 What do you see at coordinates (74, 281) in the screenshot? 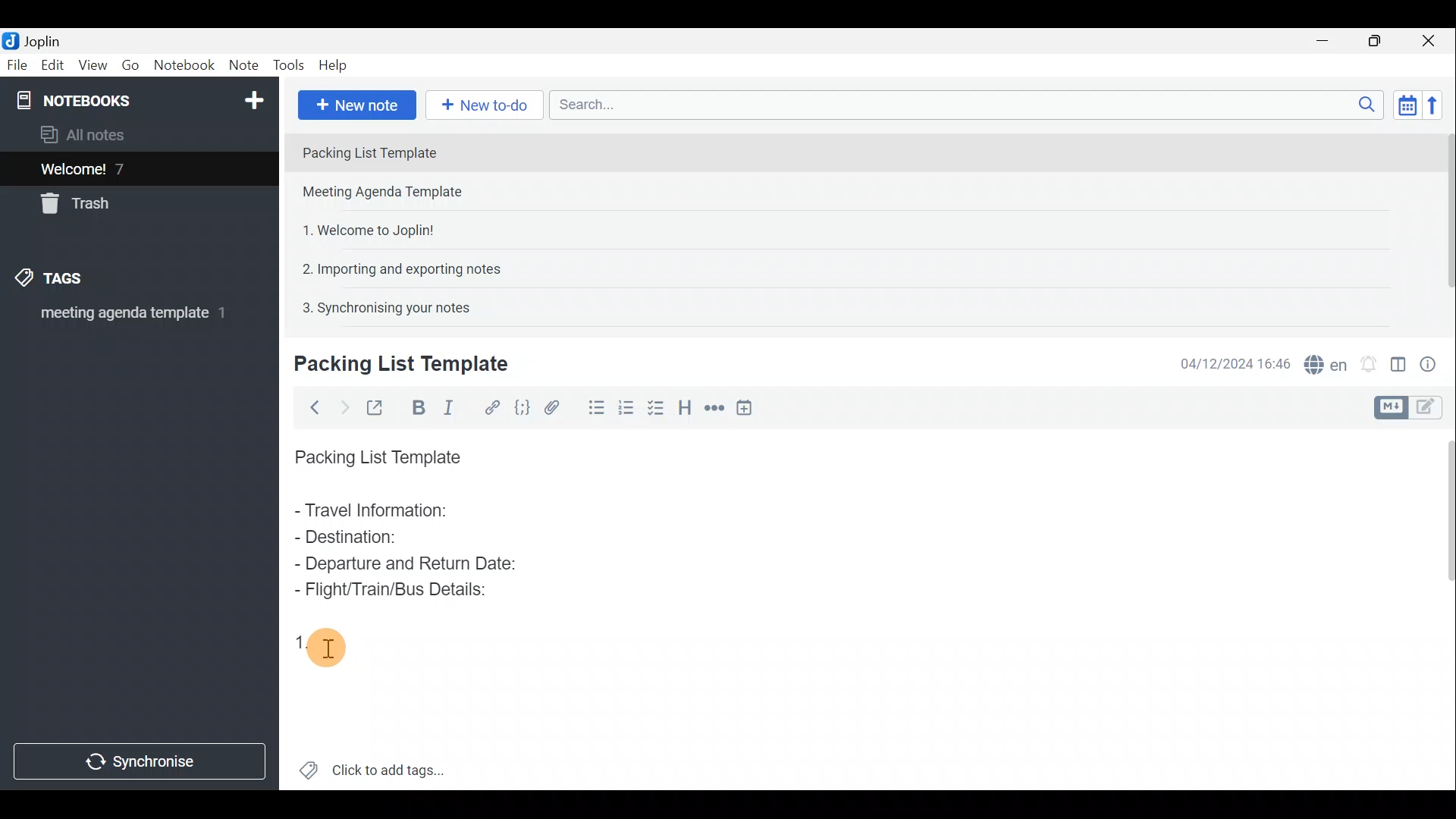
I see `Tags` at bounding box center [74, 281].